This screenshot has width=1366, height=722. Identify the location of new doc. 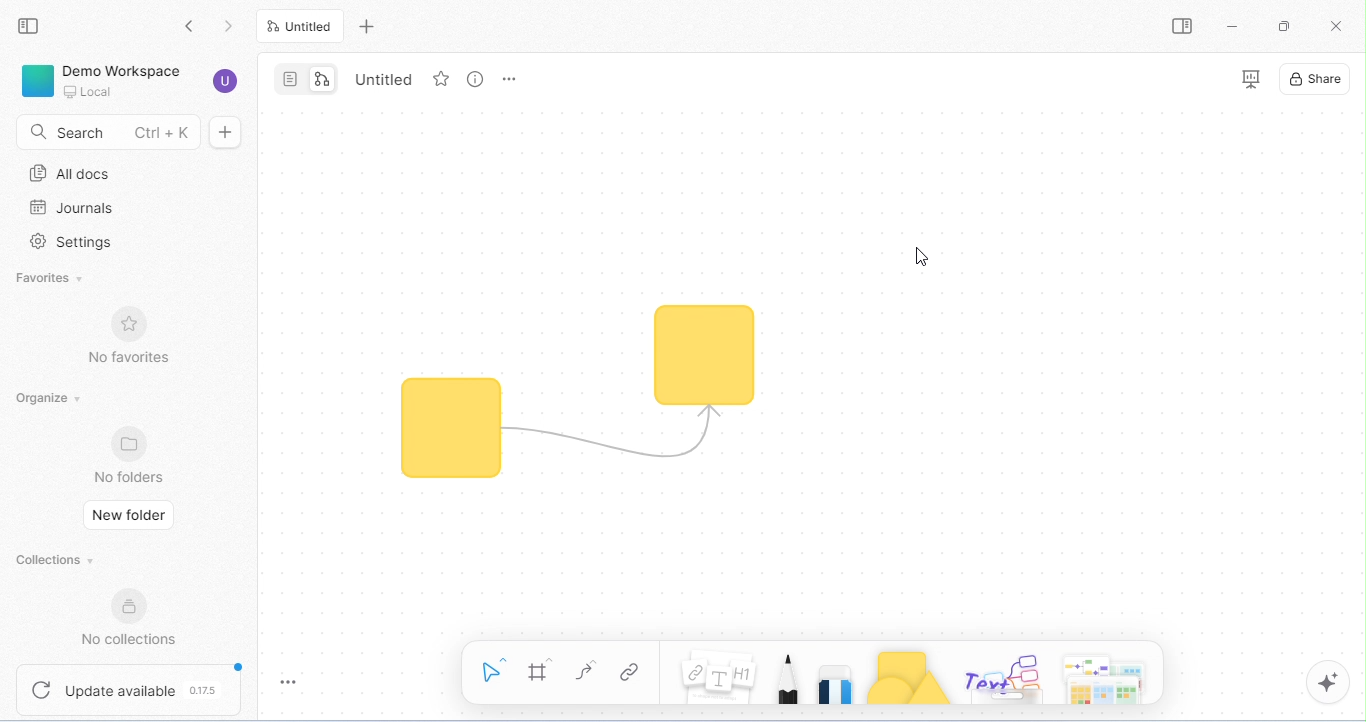
(225, 132).